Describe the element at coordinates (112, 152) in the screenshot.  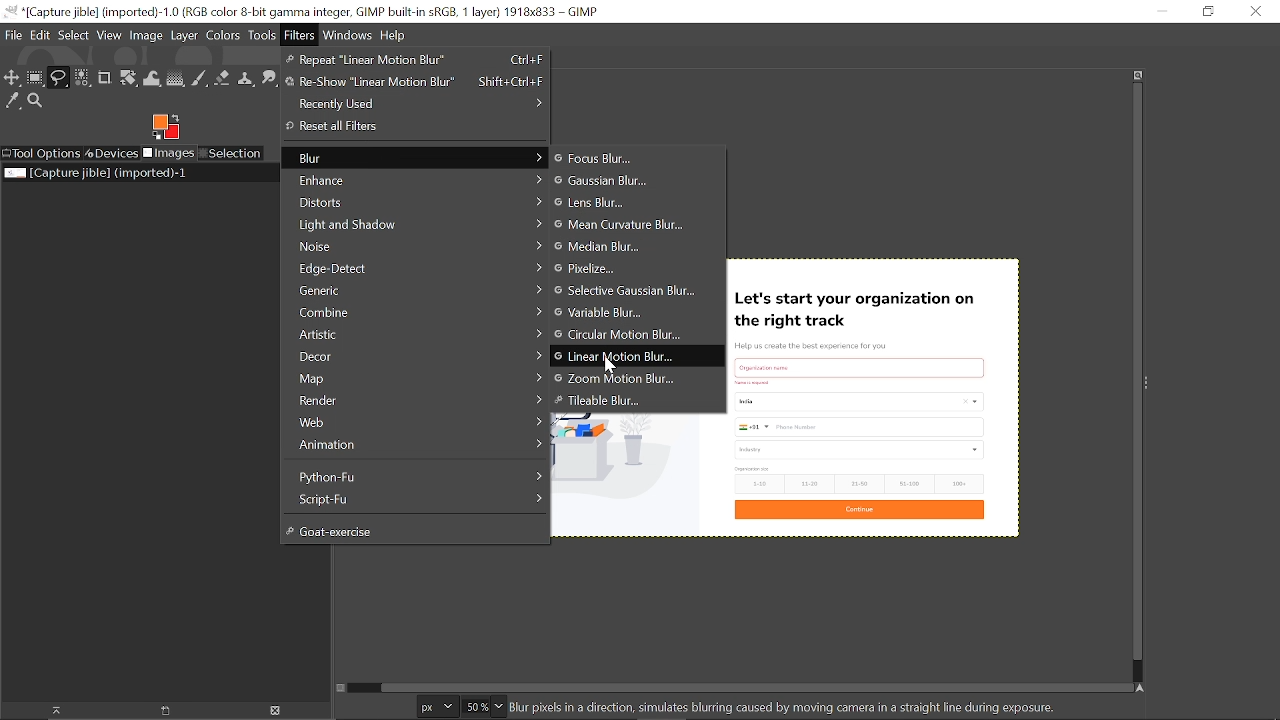
I see `Devices` at that location.